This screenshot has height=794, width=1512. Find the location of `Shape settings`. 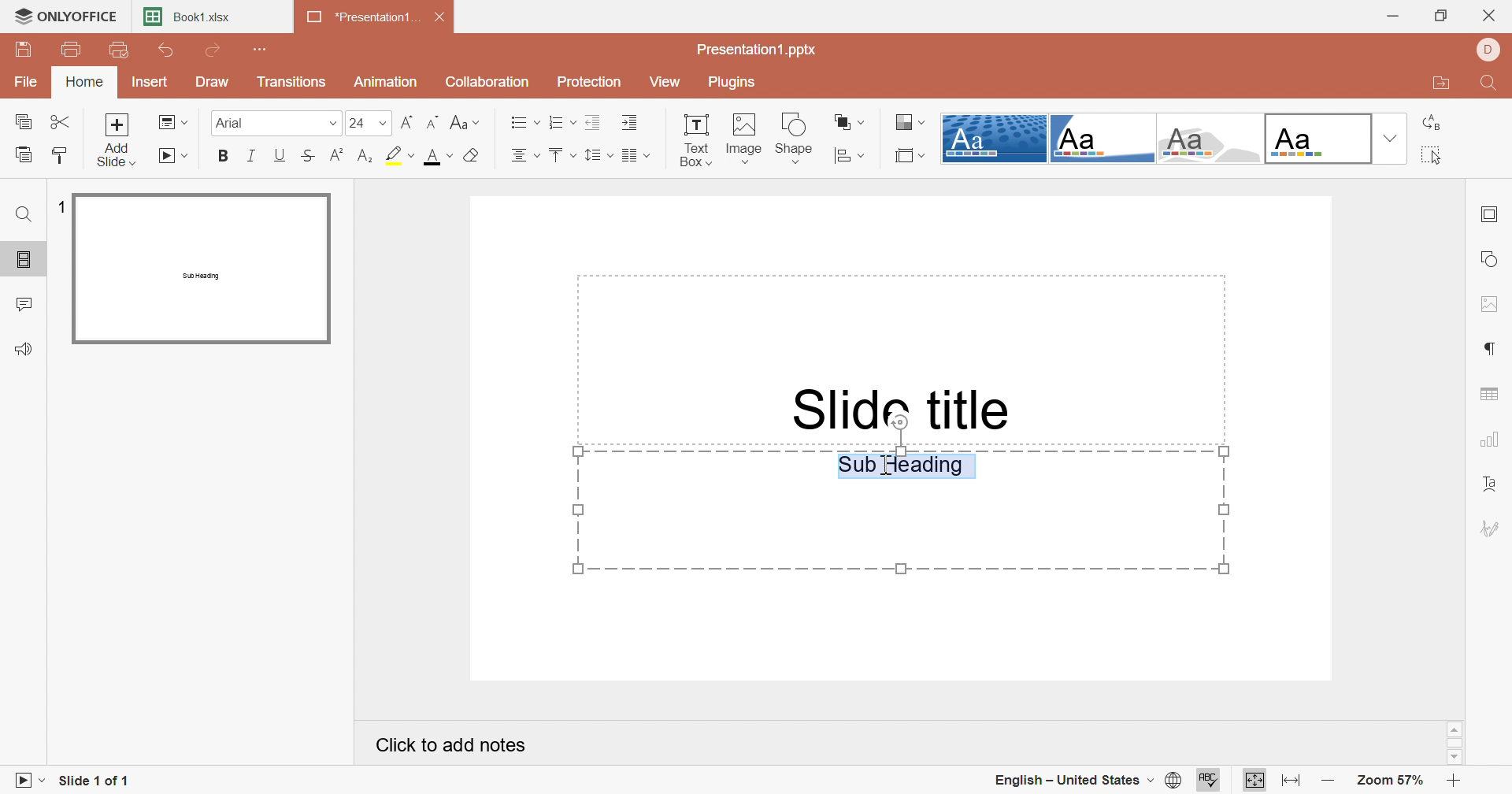

Shape settings is located at coordinates (1492, 258).